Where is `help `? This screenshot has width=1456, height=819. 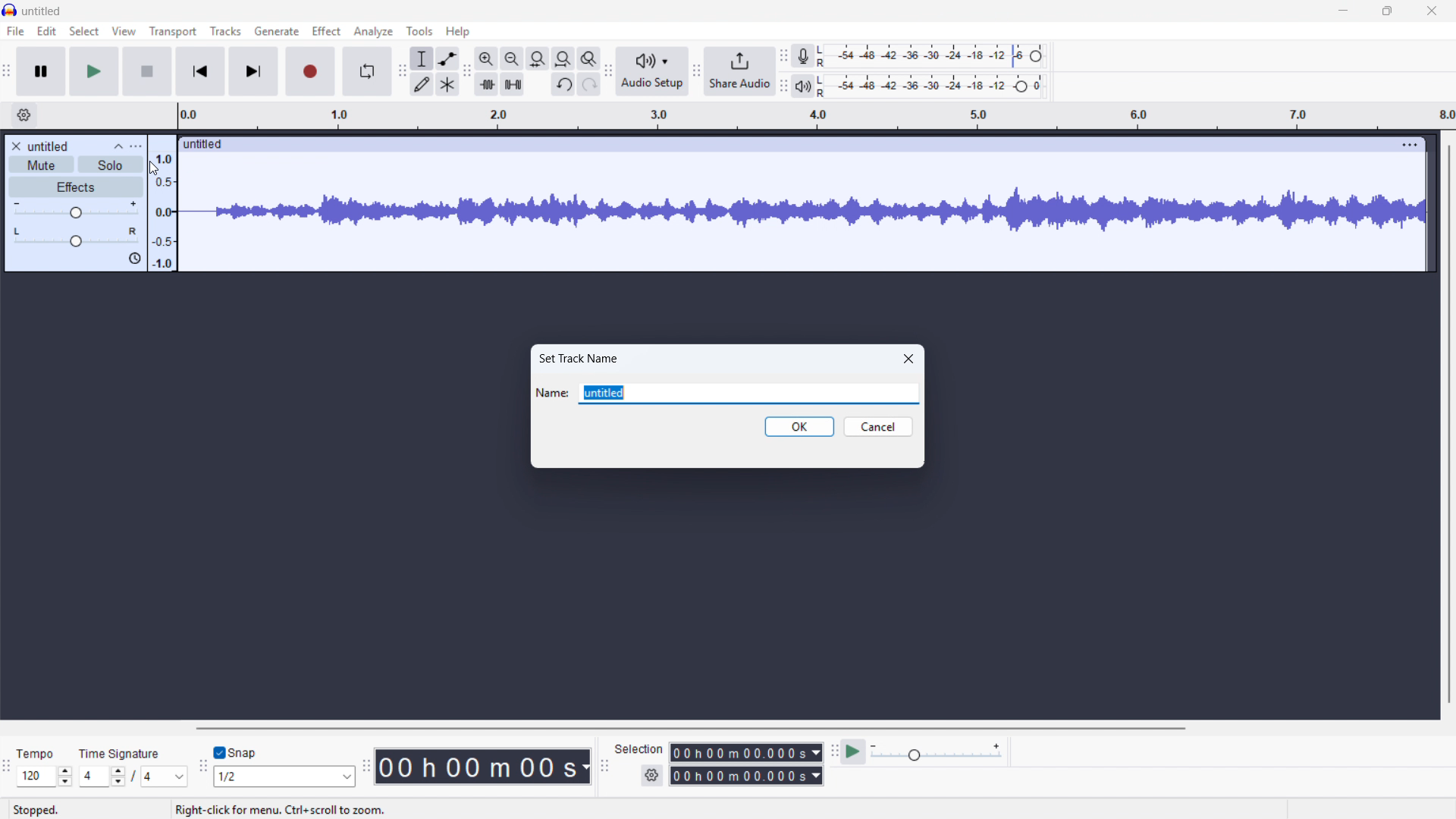 help  is located at coordinates (457, 32).